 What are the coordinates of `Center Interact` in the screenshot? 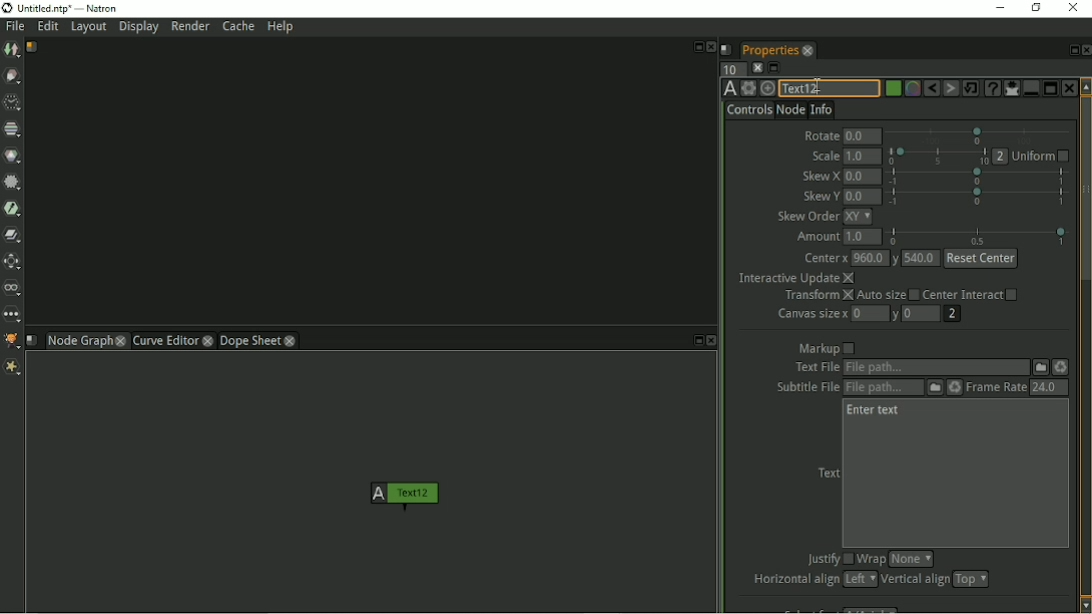 It's located at (972, 294).